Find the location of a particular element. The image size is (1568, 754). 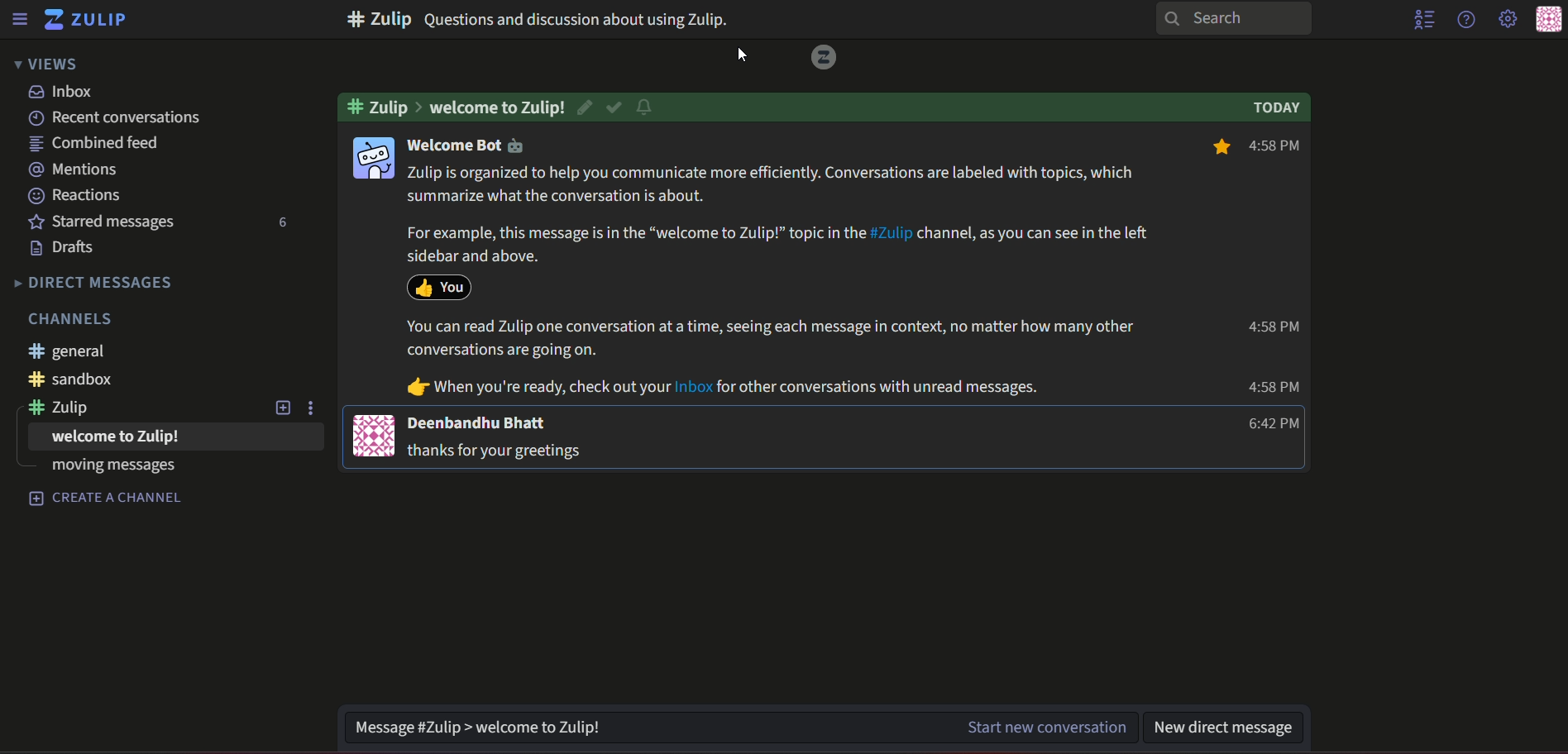

#general is located at coordinates (72, 351).